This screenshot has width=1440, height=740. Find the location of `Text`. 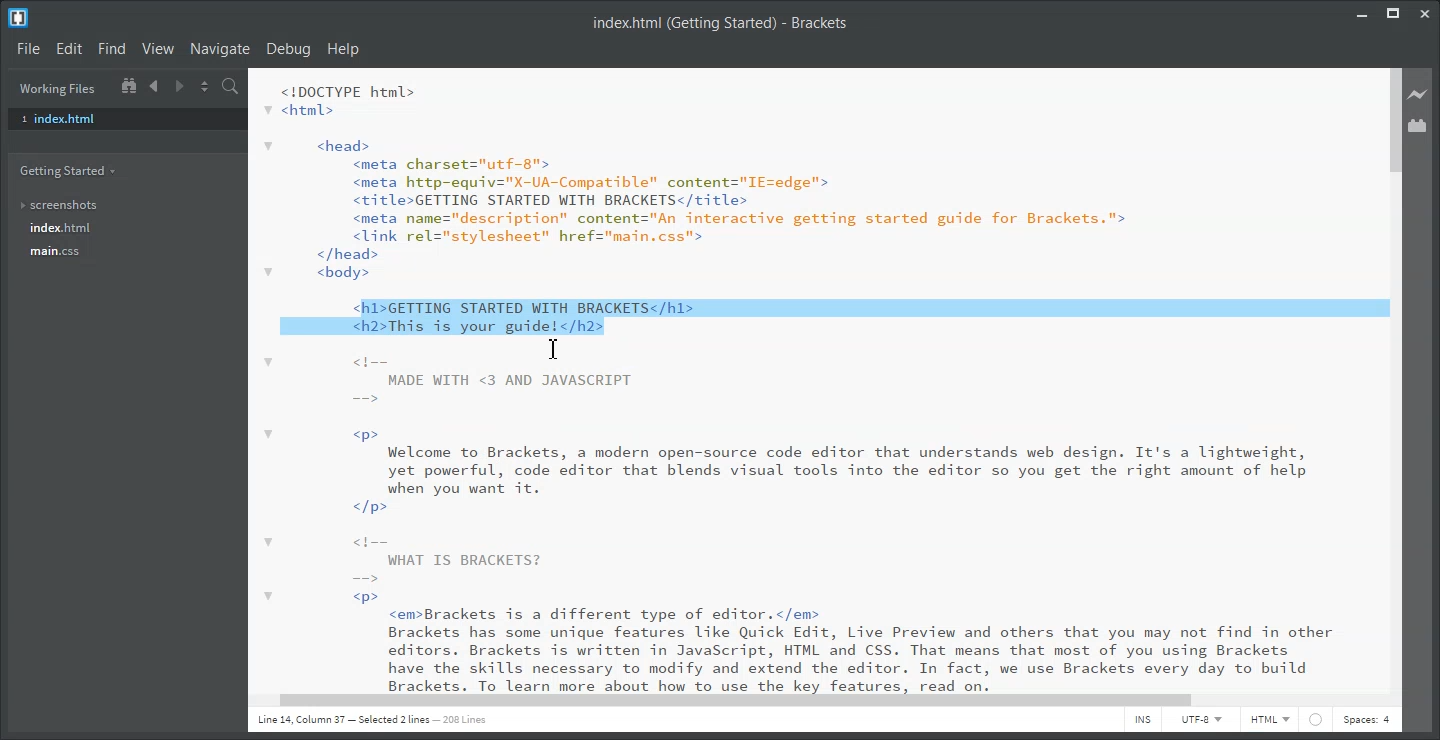

Text is located at coordinates (378, 720).